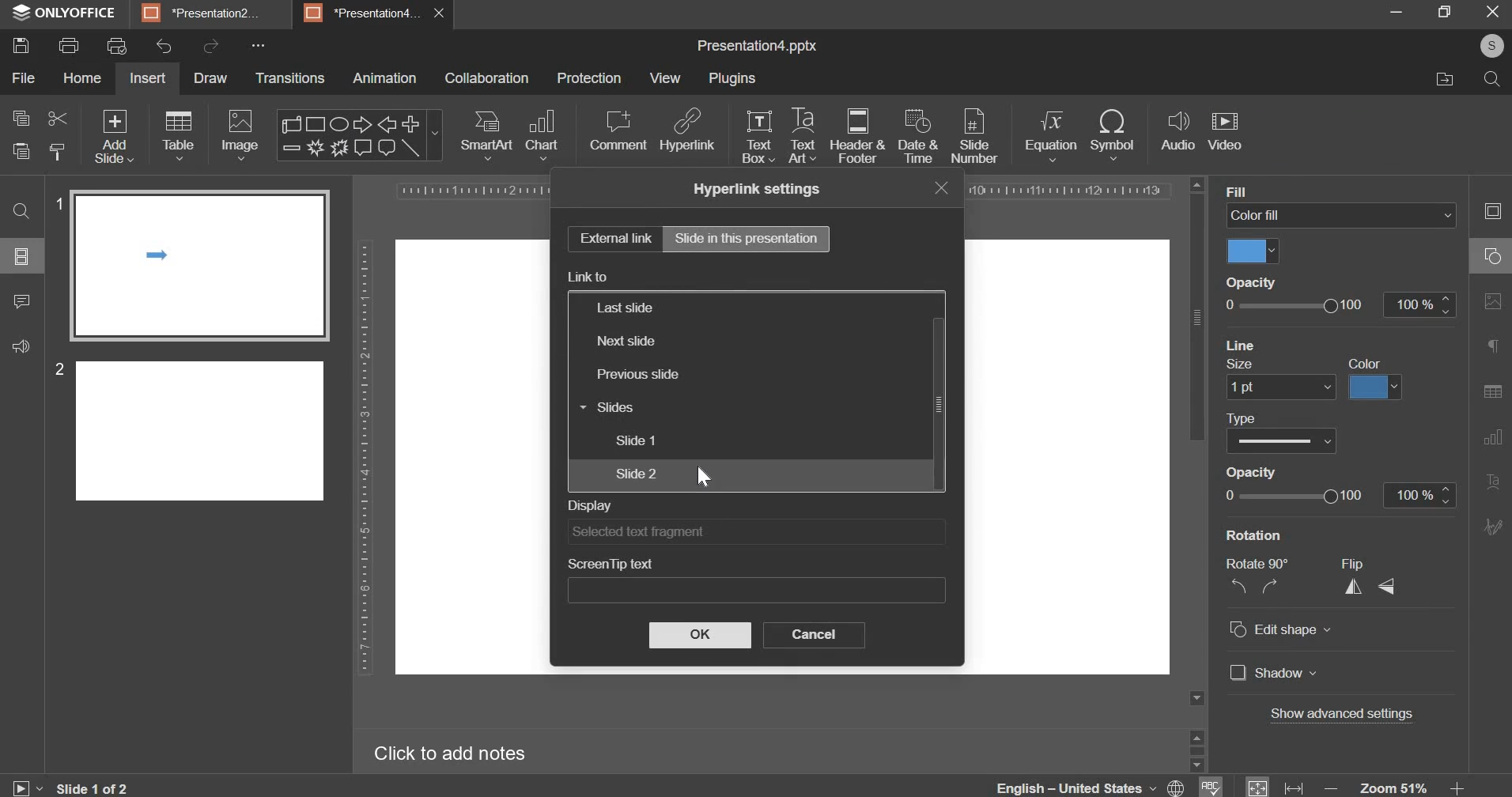  What do you see at coordinates (687, 132) in the screenshot?
I see `hyperlink` at bounding box center [687, 132].